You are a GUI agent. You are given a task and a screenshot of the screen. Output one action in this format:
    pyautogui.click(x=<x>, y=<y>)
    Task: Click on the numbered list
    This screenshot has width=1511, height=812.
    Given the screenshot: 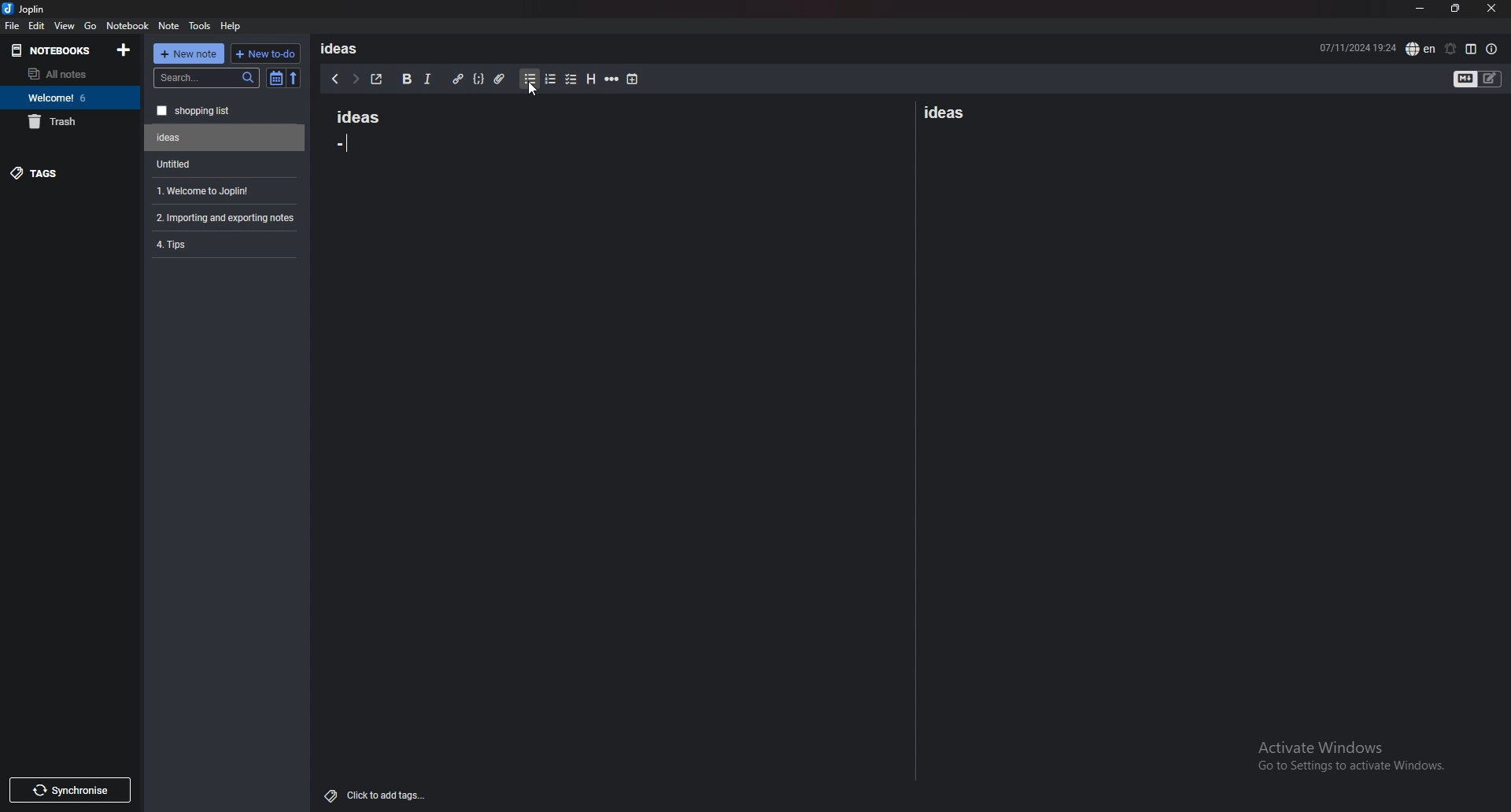 What is the action you would take?
    pyautogui.click(x=549, y=79)
    